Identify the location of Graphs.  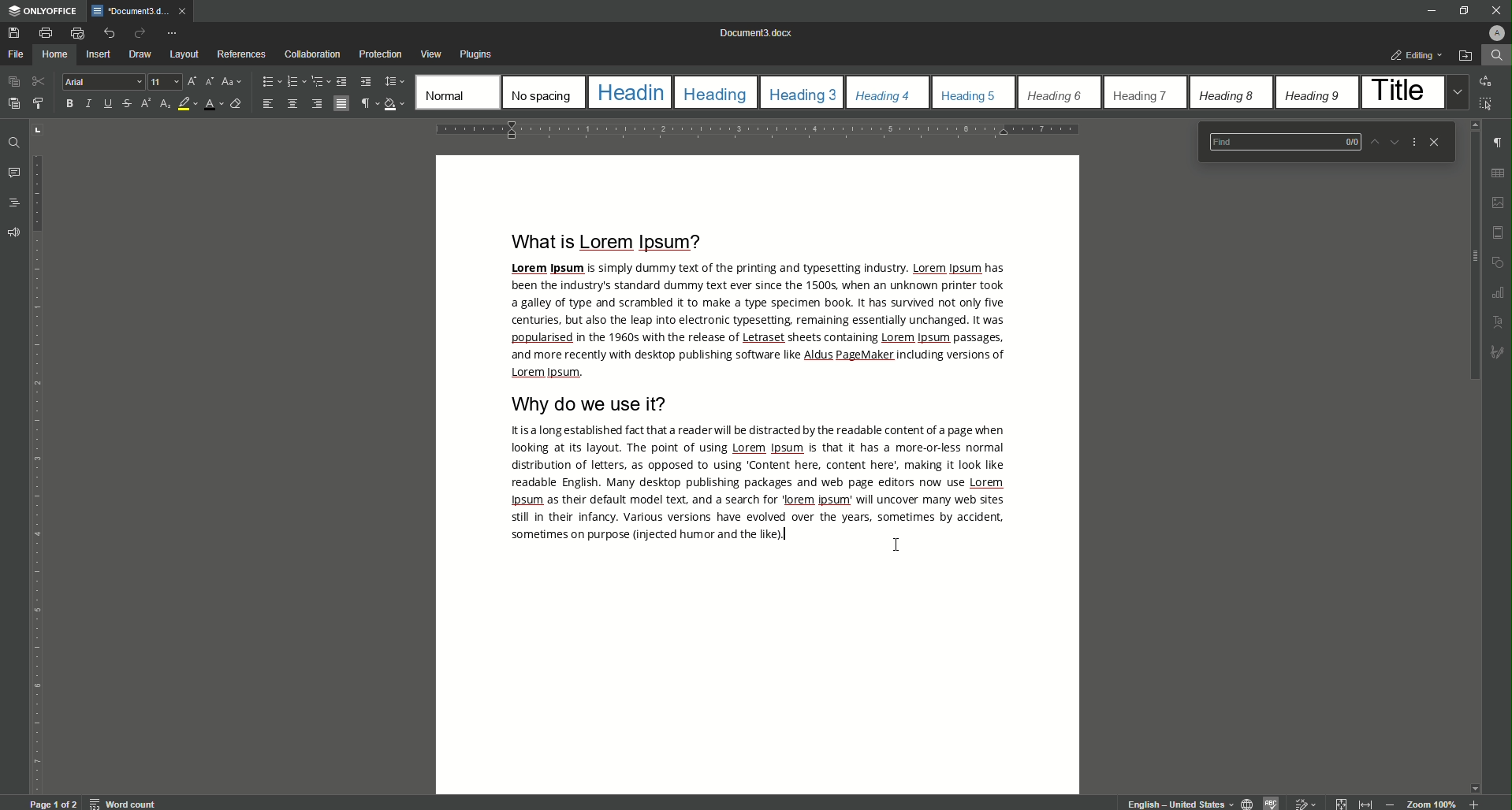
(1501, 291).